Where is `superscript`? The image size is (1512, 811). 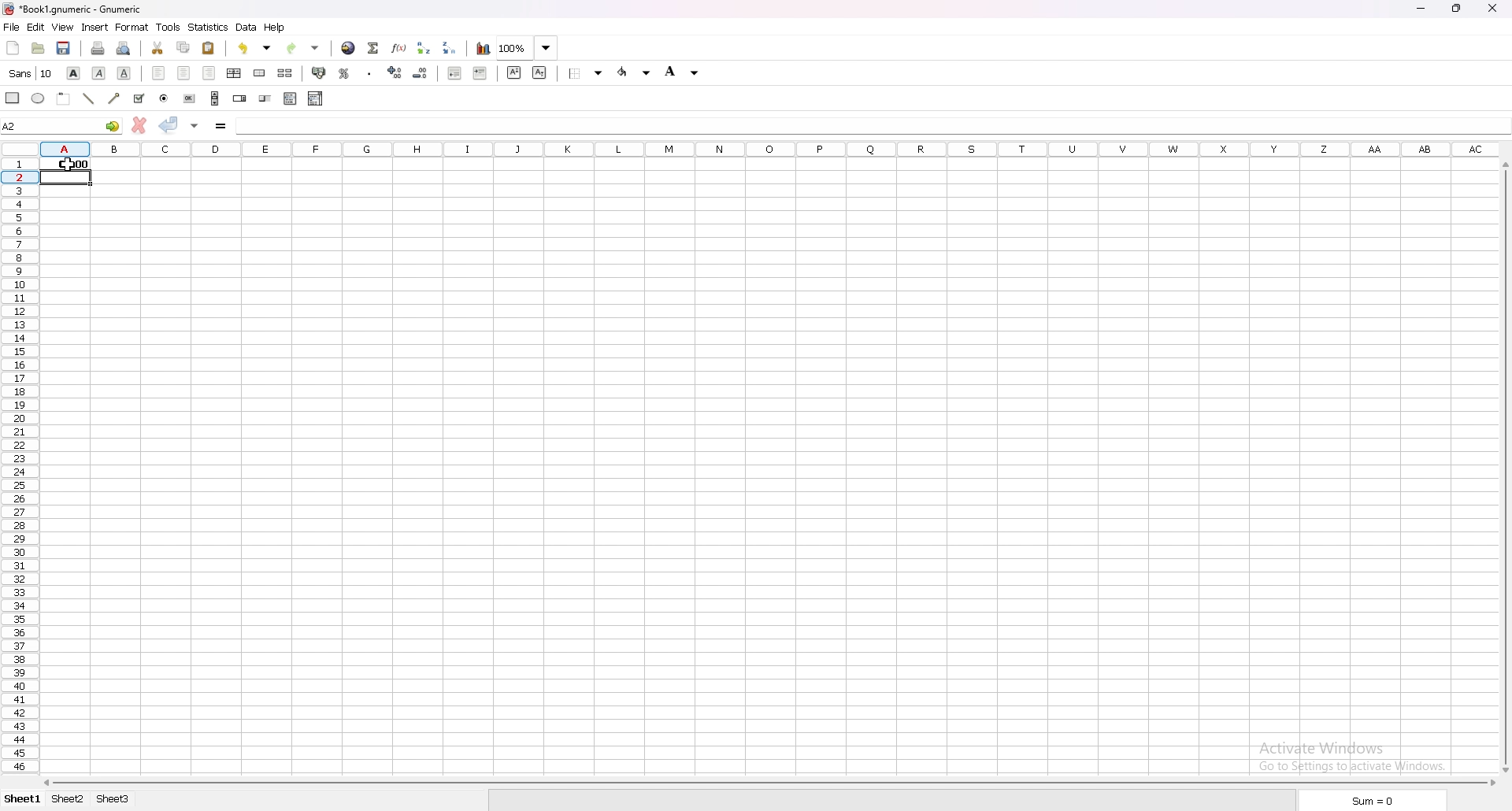 superscript is located at coordinates (513, 72).